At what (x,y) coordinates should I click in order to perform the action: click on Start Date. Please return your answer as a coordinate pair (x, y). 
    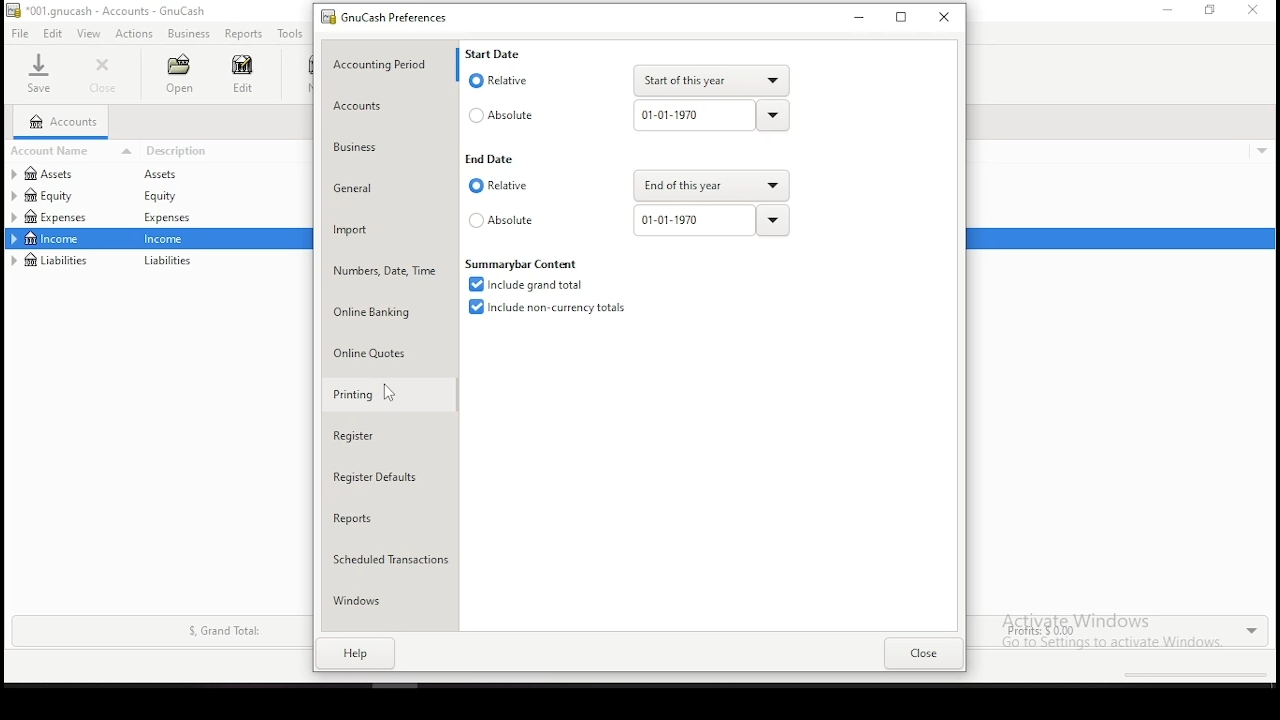
    Looking at the image, I should click on (502, 52).